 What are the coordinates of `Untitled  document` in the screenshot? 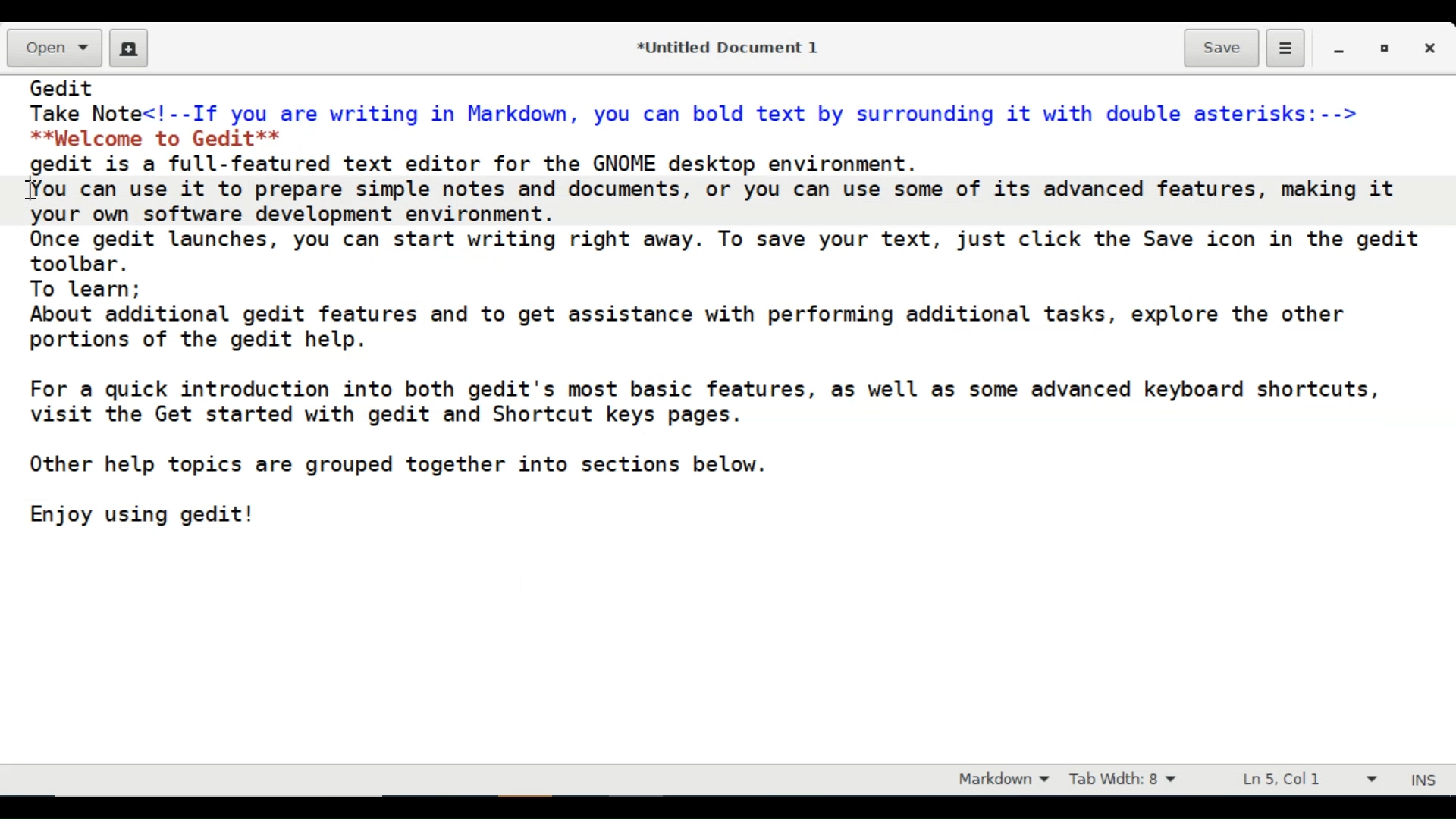 It's located at (724, 46).